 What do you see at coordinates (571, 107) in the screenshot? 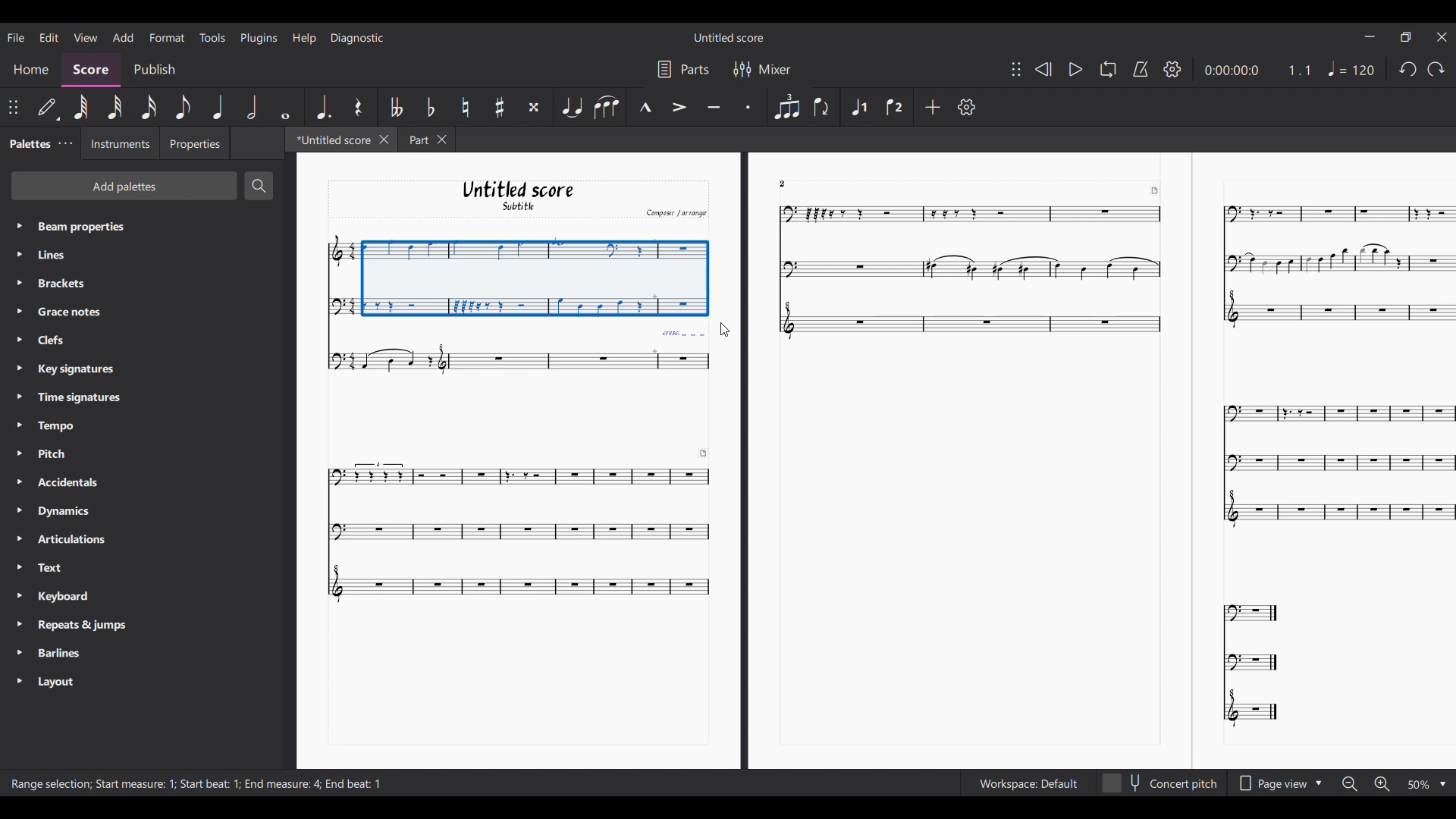
I see `Tie` at bounding box center [571, 107].